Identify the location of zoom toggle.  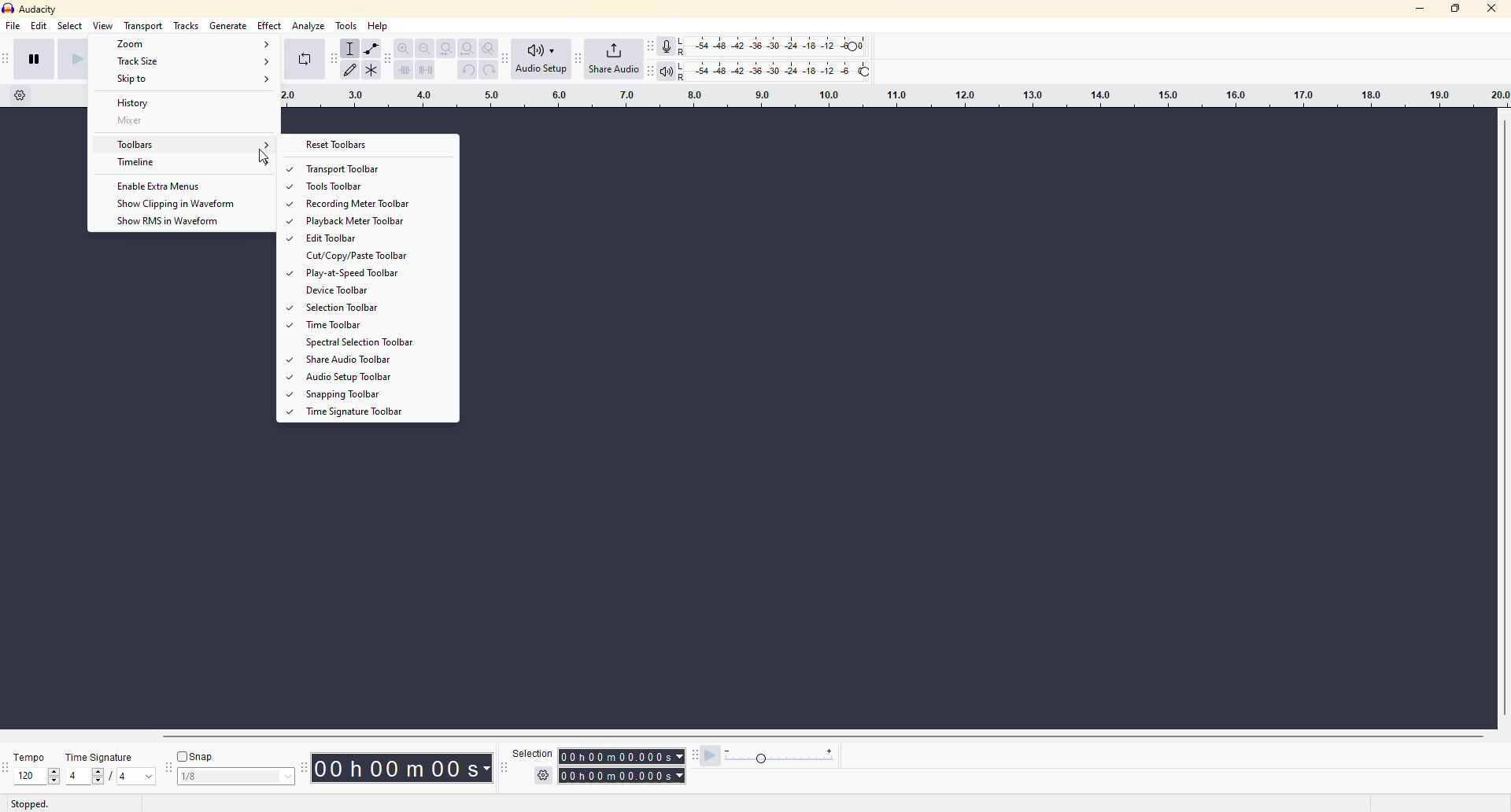
(488, 48).